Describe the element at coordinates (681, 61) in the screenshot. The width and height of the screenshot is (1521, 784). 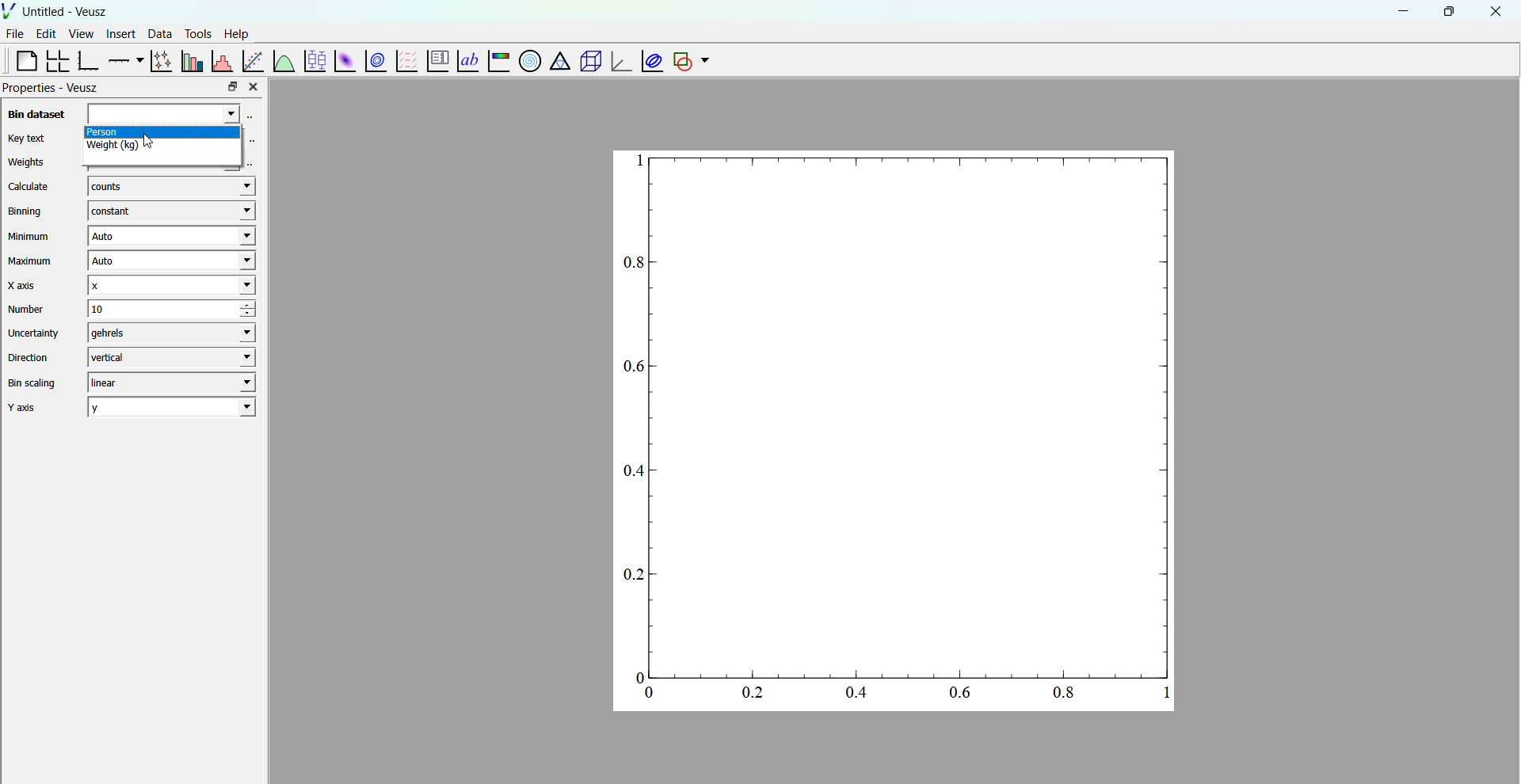
I see `add a shape to the plot` at that location.